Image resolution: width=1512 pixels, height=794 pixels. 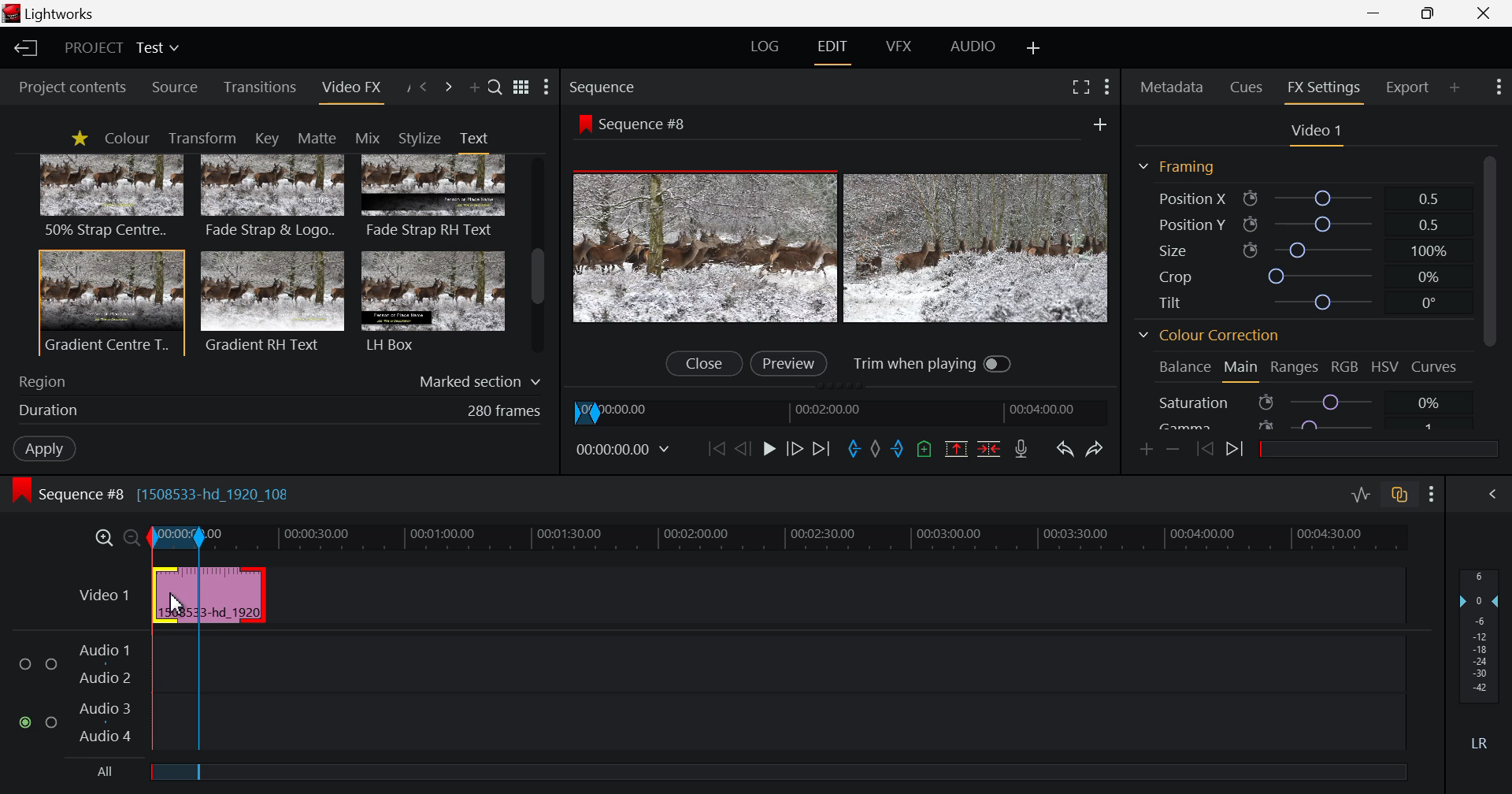 What do you see at coordinates (273, 198) in the screenshot?
I see `Fade Strap & Logo` at bounding box center [273, 198].